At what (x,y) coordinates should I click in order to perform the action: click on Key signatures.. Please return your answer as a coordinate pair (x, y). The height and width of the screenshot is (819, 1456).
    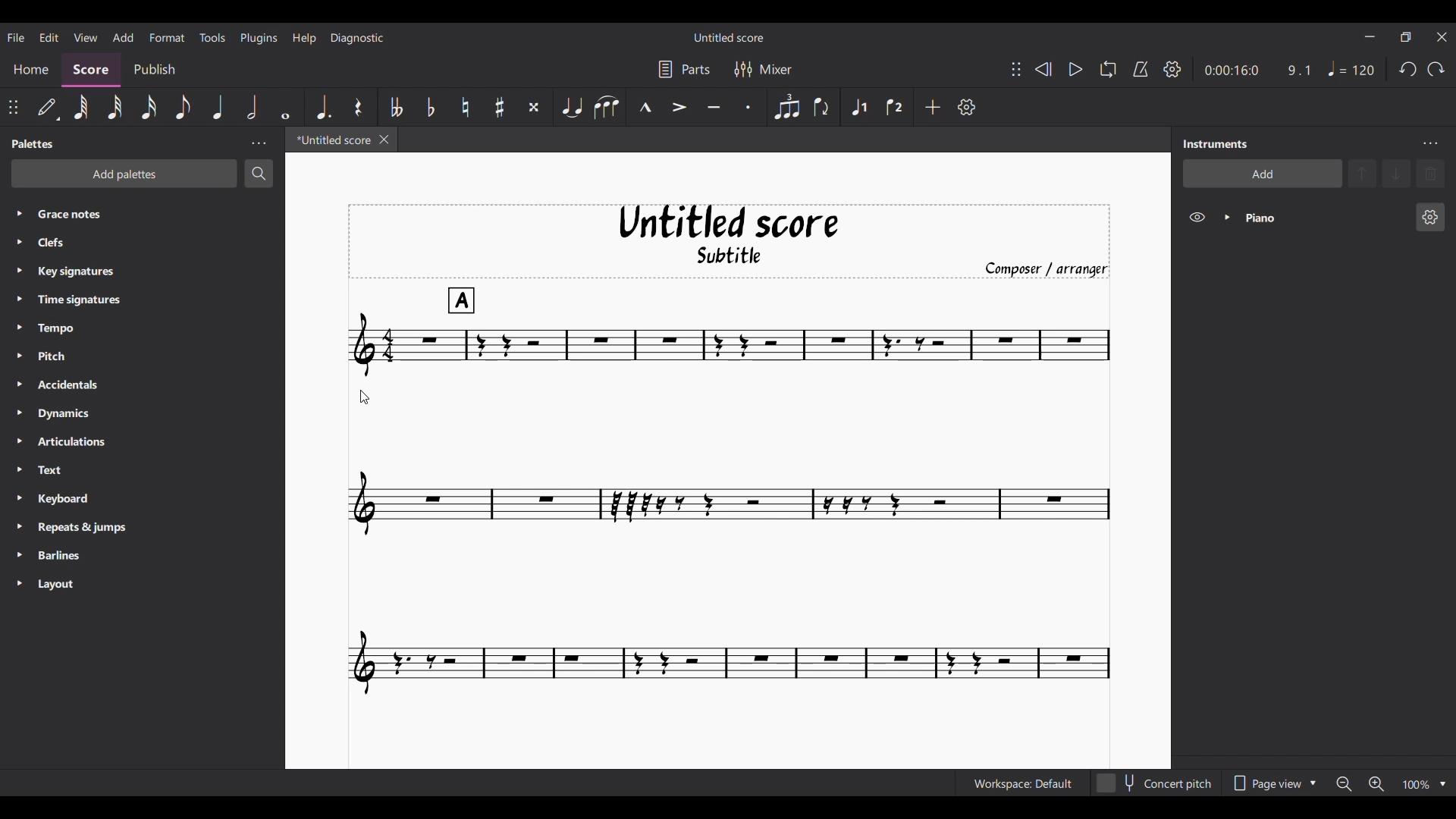
    Looking at the image, I should click on (89, 273).